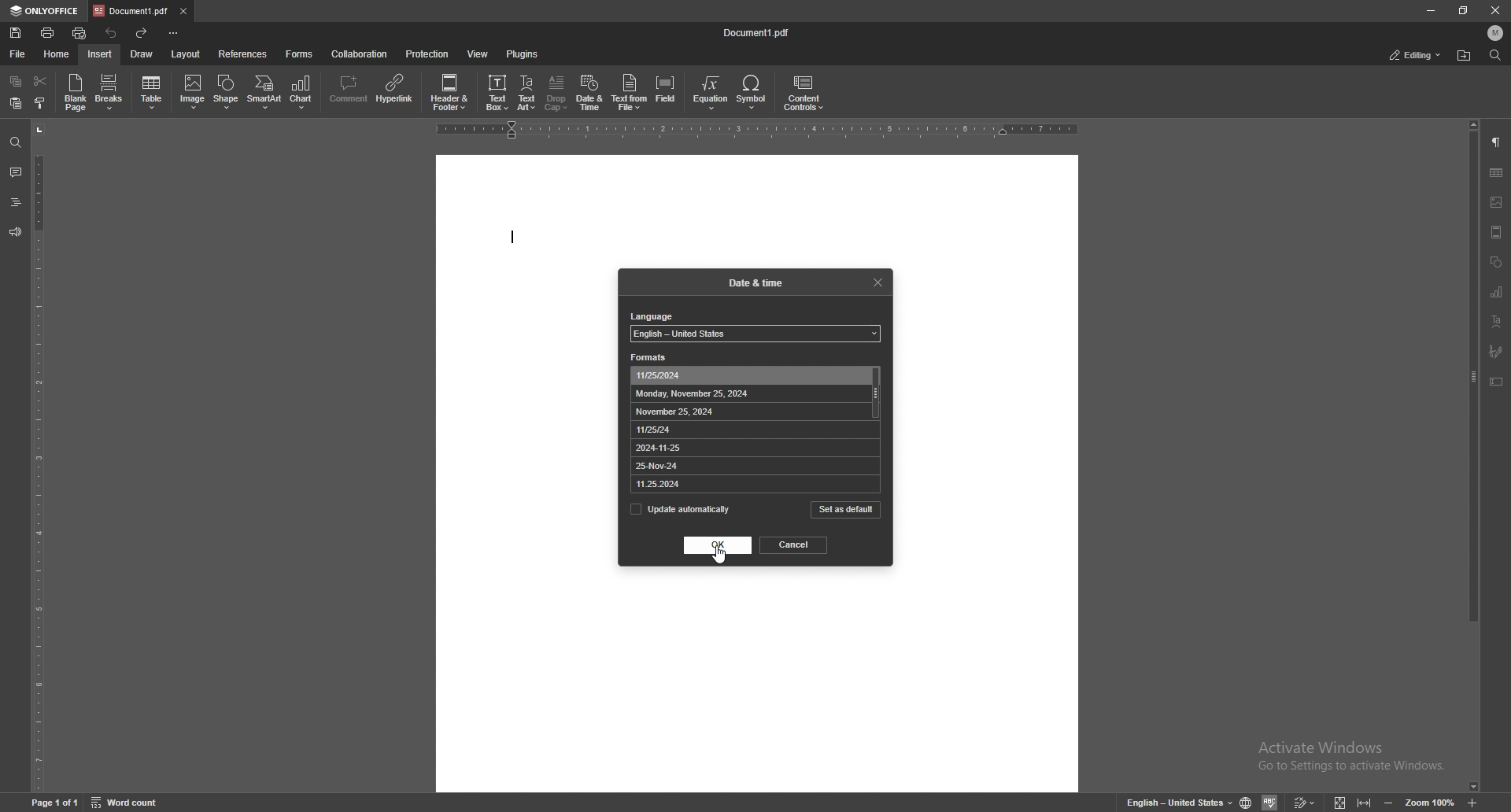  What do you see at coordinates (16, 54) in the screenshot?
I see `file` at bounding box center [16, 54].